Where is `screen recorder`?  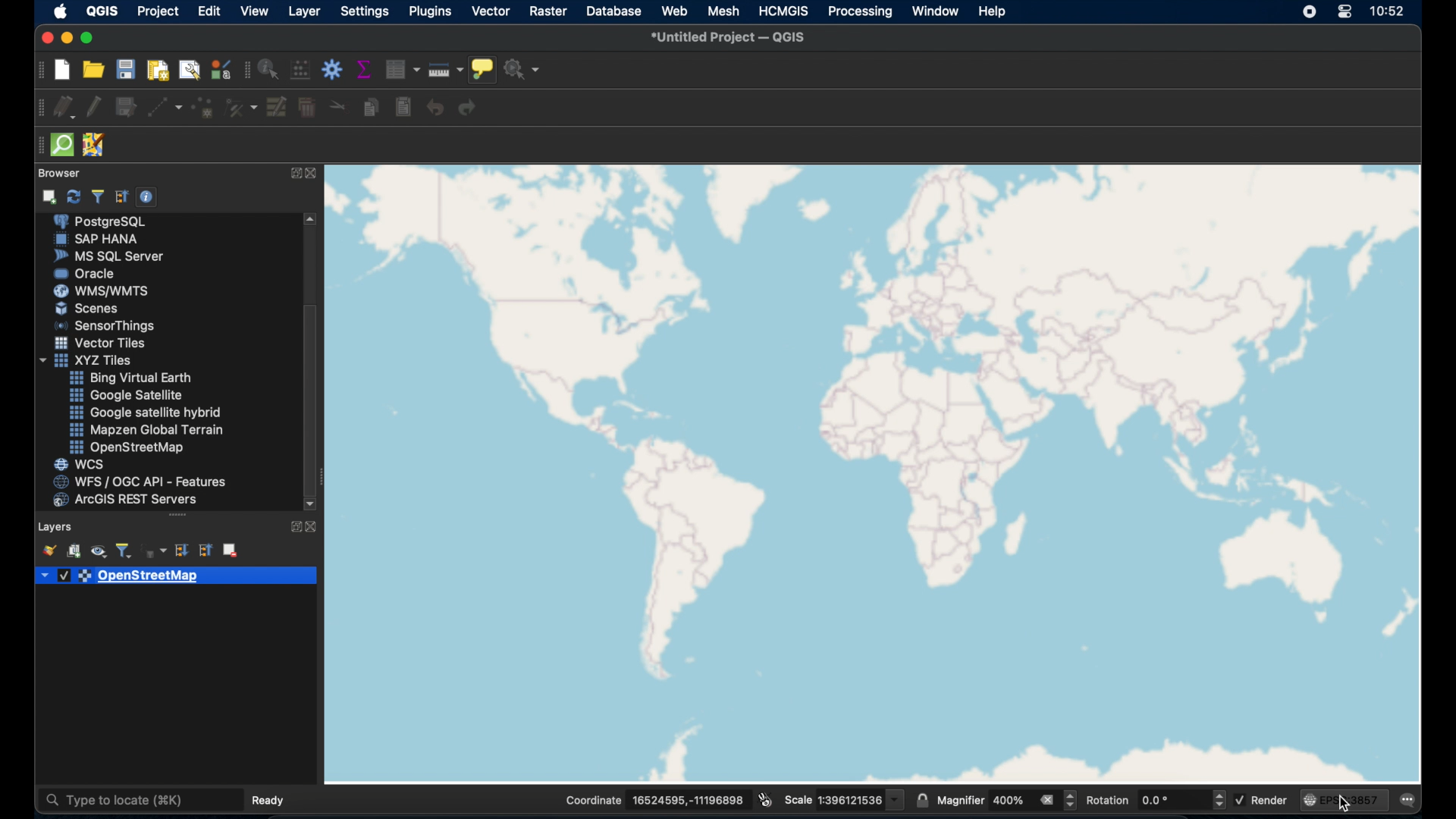 screen recorder is located at coordinates (1303, 13).